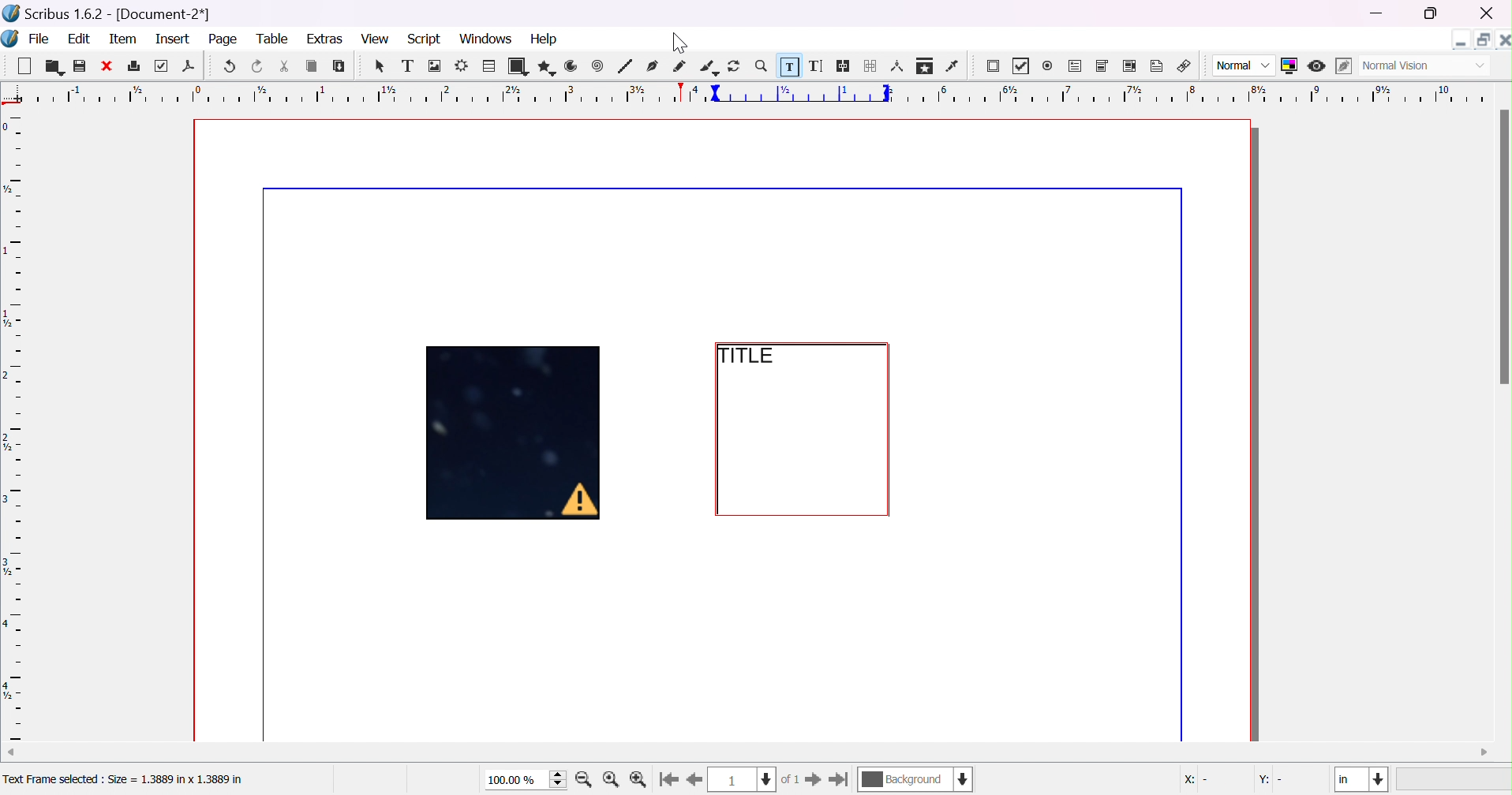 The width and height of the screenshot is (1512, 795). I want to click on radio button, so click(1049, 66).